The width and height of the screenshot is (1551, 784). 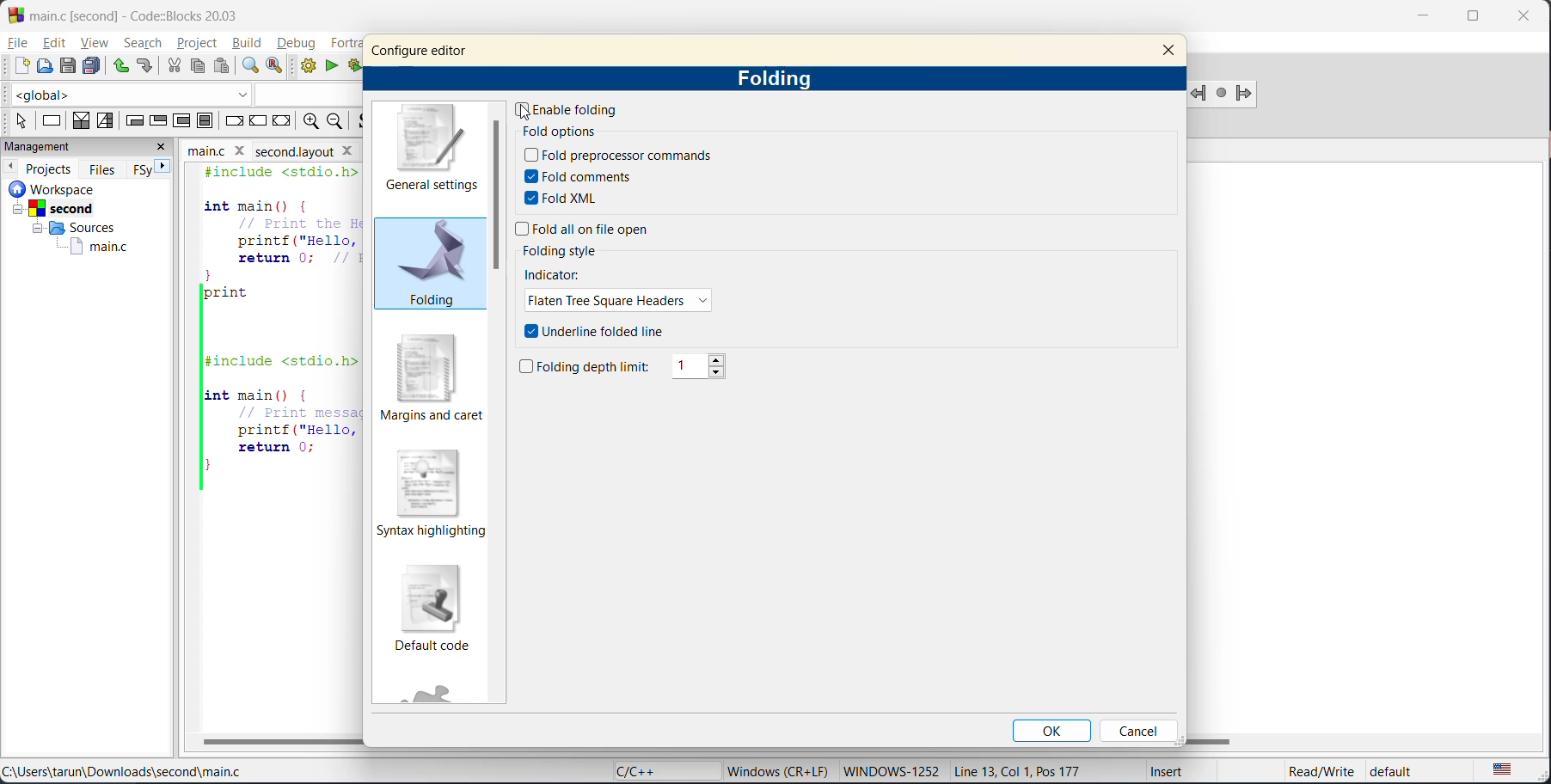 I want to click on text language, so click(x=1505, y=769).